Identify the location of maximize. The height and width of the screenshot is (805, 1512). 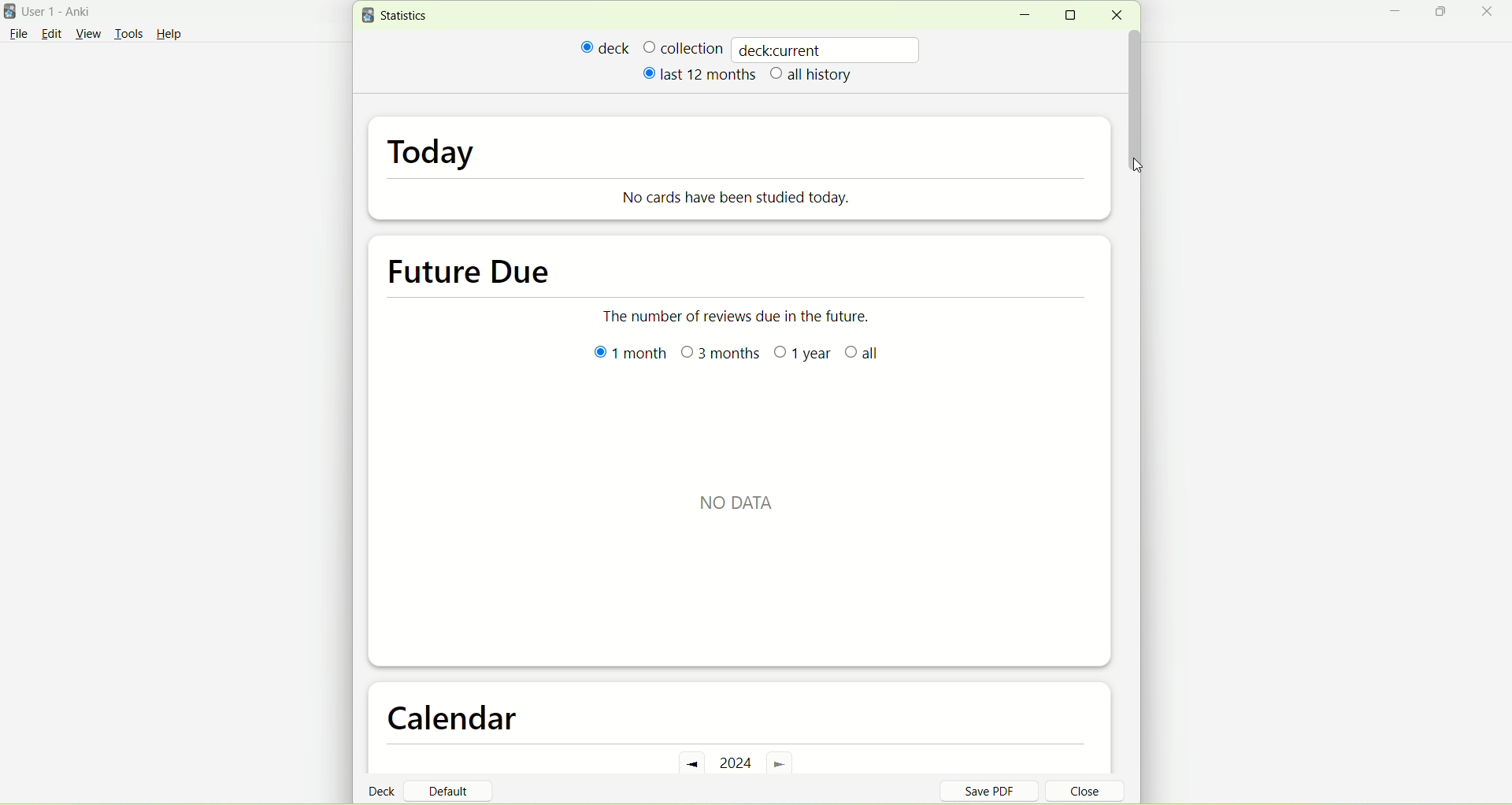
(1443, 14).